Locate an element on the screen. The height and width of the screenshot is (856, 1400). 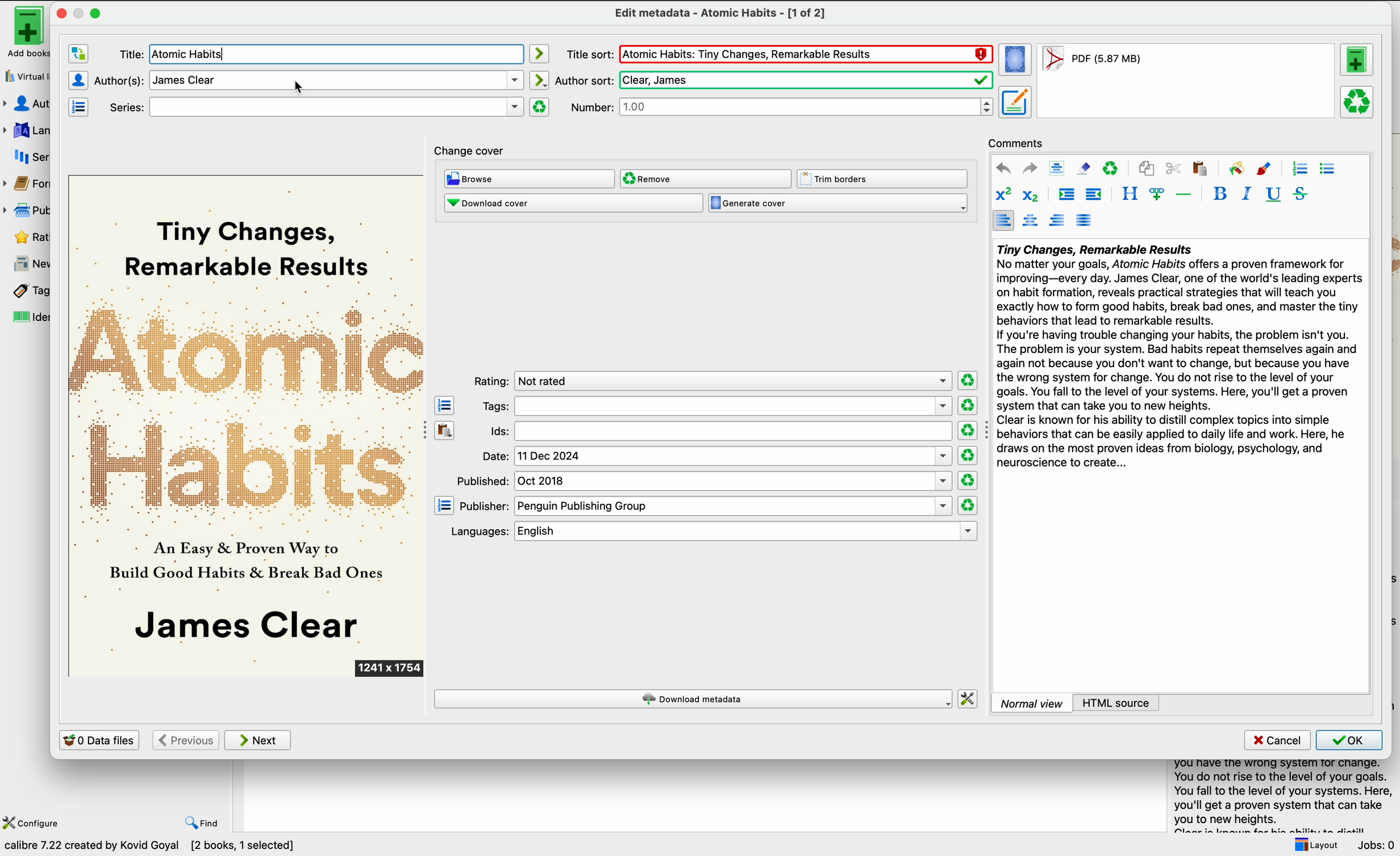
clear rating is located at coordinates (966, 481).